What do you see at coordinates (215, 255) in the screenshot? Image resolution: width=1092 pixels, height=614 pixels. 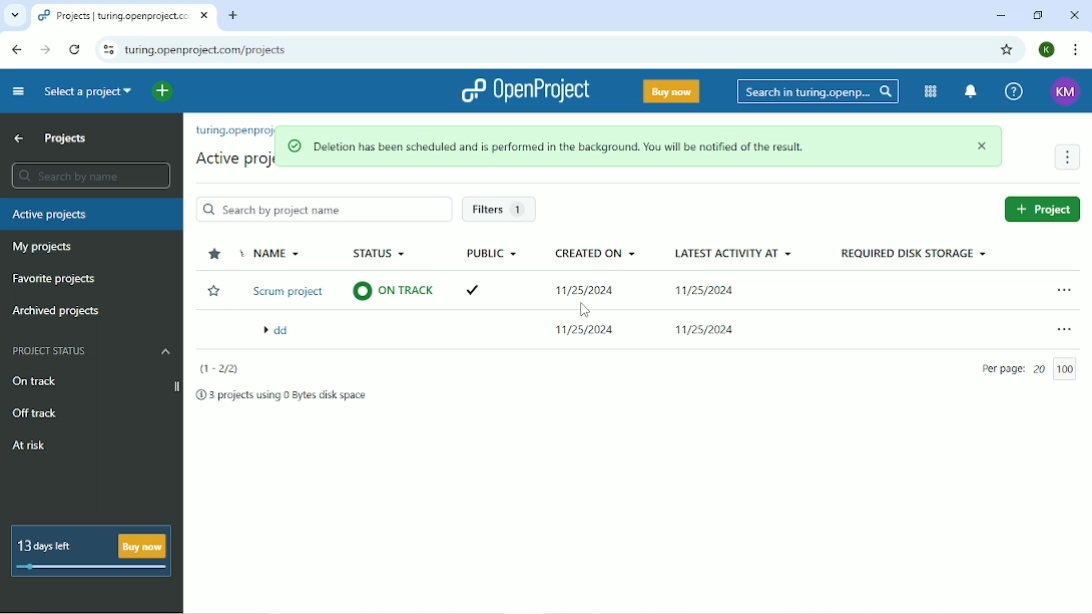 I see `Sort by "favorite"` at bounding box center [215, 255].